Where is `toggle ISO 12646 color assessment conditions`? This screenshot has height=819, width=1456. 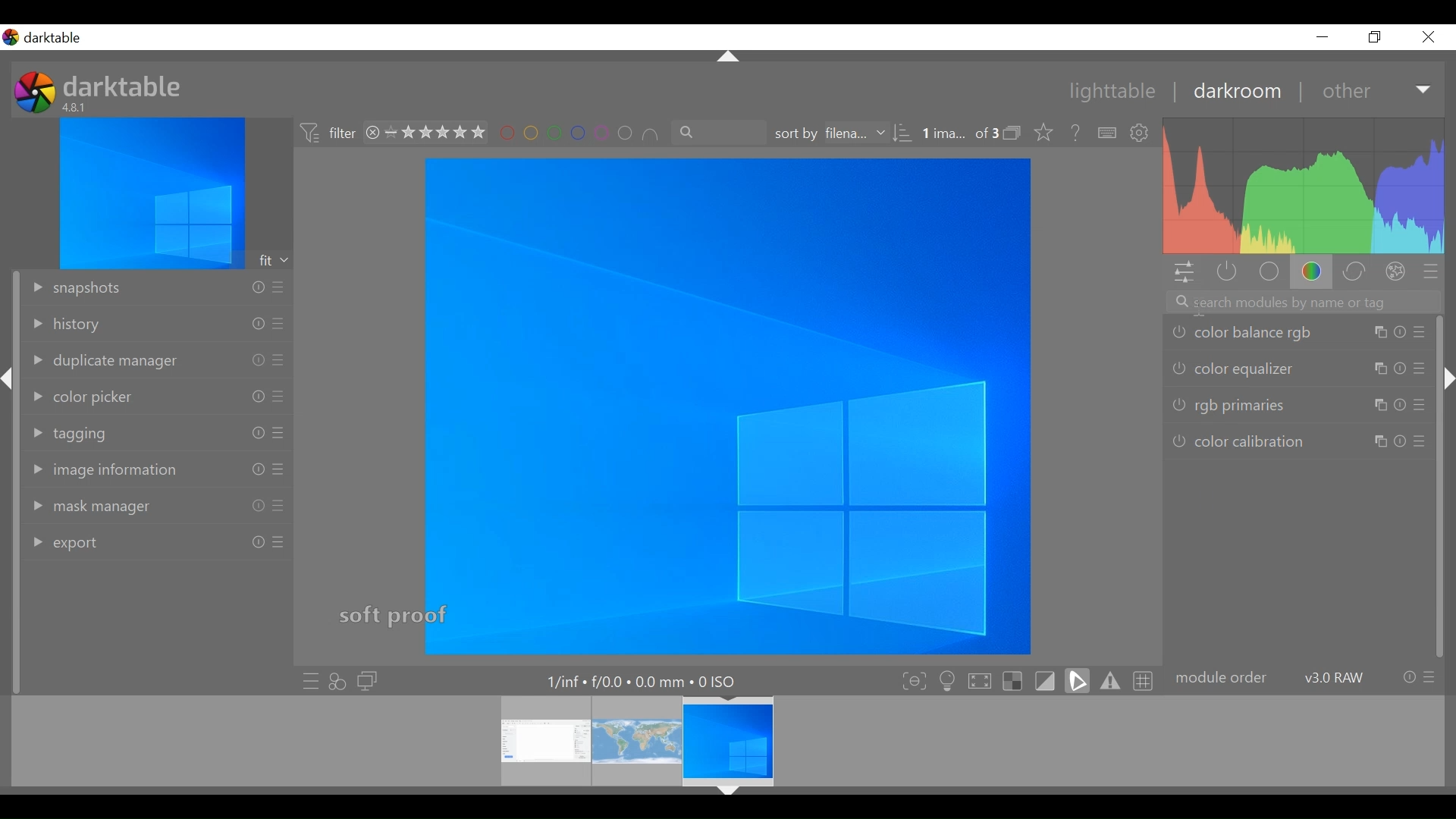
toggle ISO 12646 color assessment conditions is located at coordinates (946, 679).